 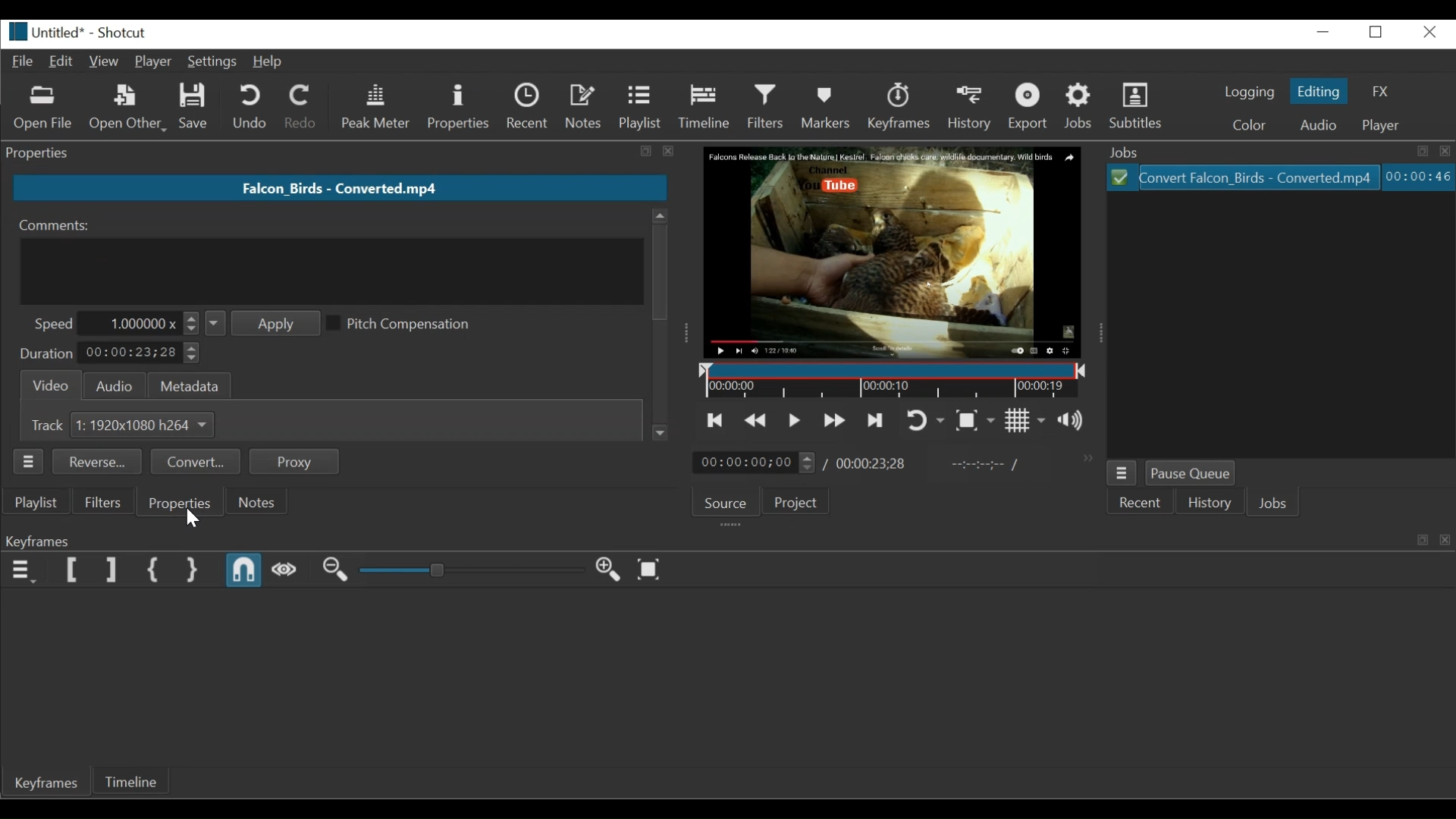 What do you see at coordinates (127, 109) in the screenshot?
I see `Open Other` at bounding box center [127, 109].